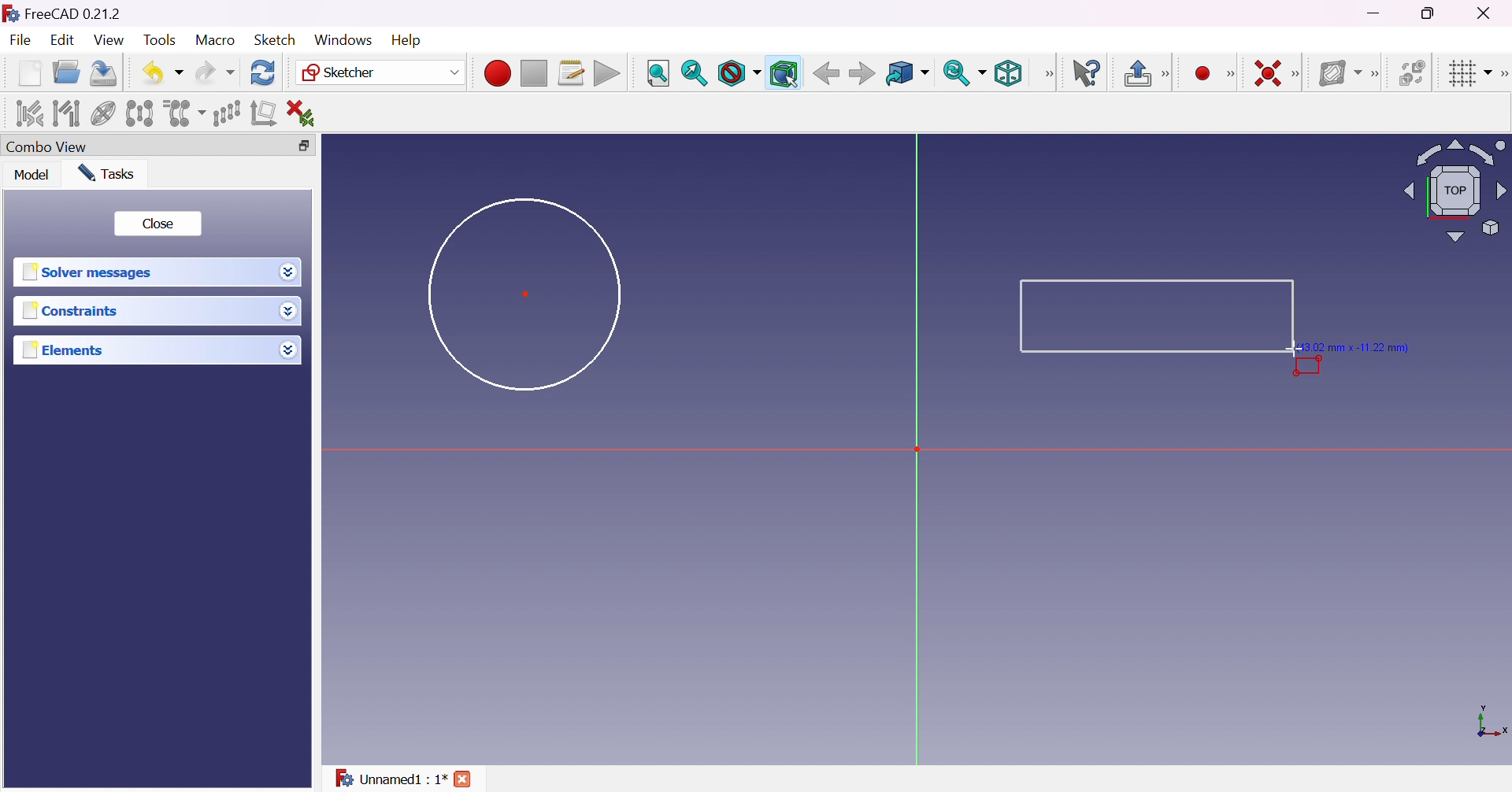 The height and width of the screenshot is (792, 1512). Describe the element at coordinates (378, 72) in the screenshot. I see `Sketcher` at that location.